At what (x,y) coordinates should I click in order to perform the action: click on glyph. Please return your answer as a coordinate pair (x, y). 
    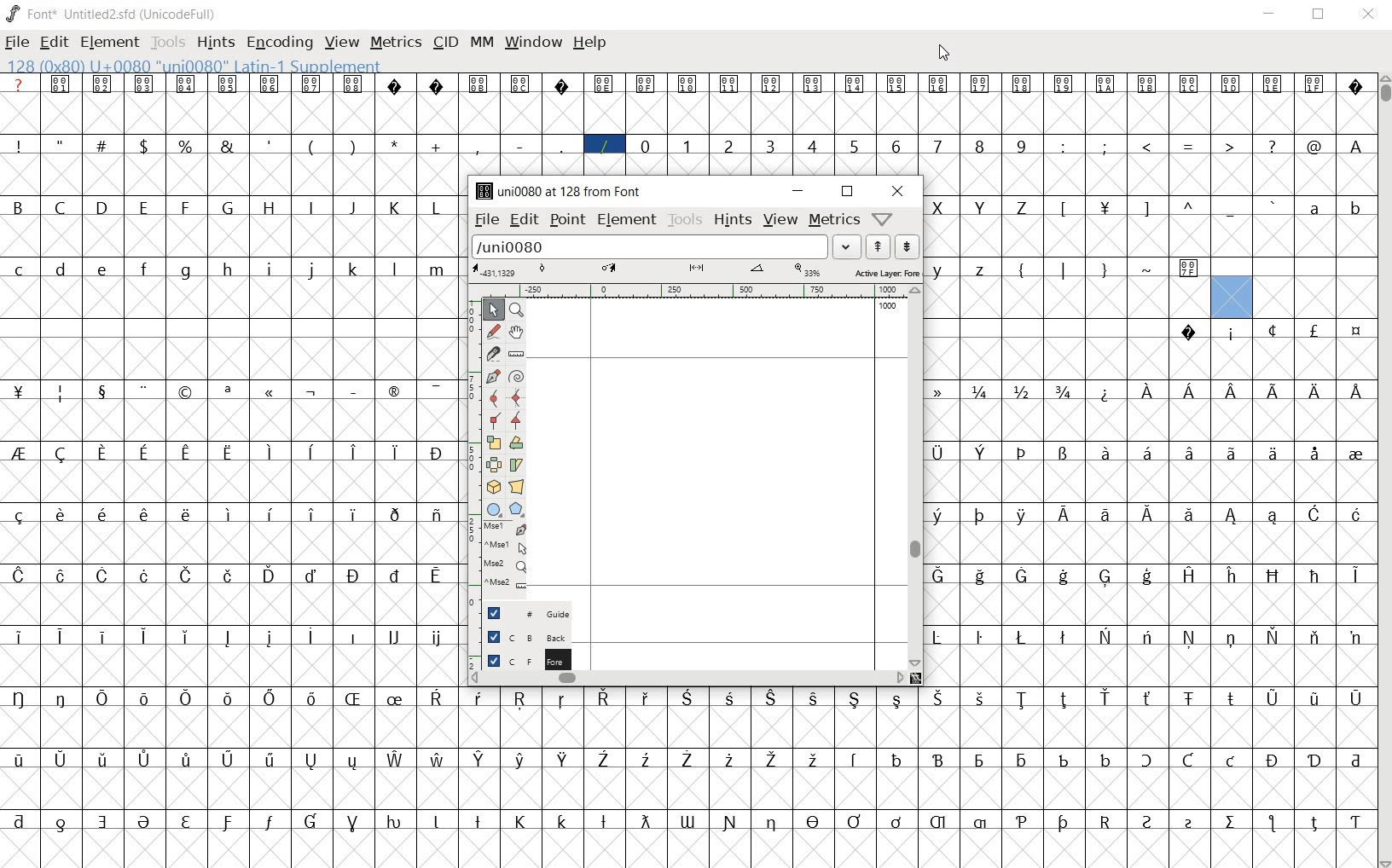
    Looking at the image, I should click on (561, 700).